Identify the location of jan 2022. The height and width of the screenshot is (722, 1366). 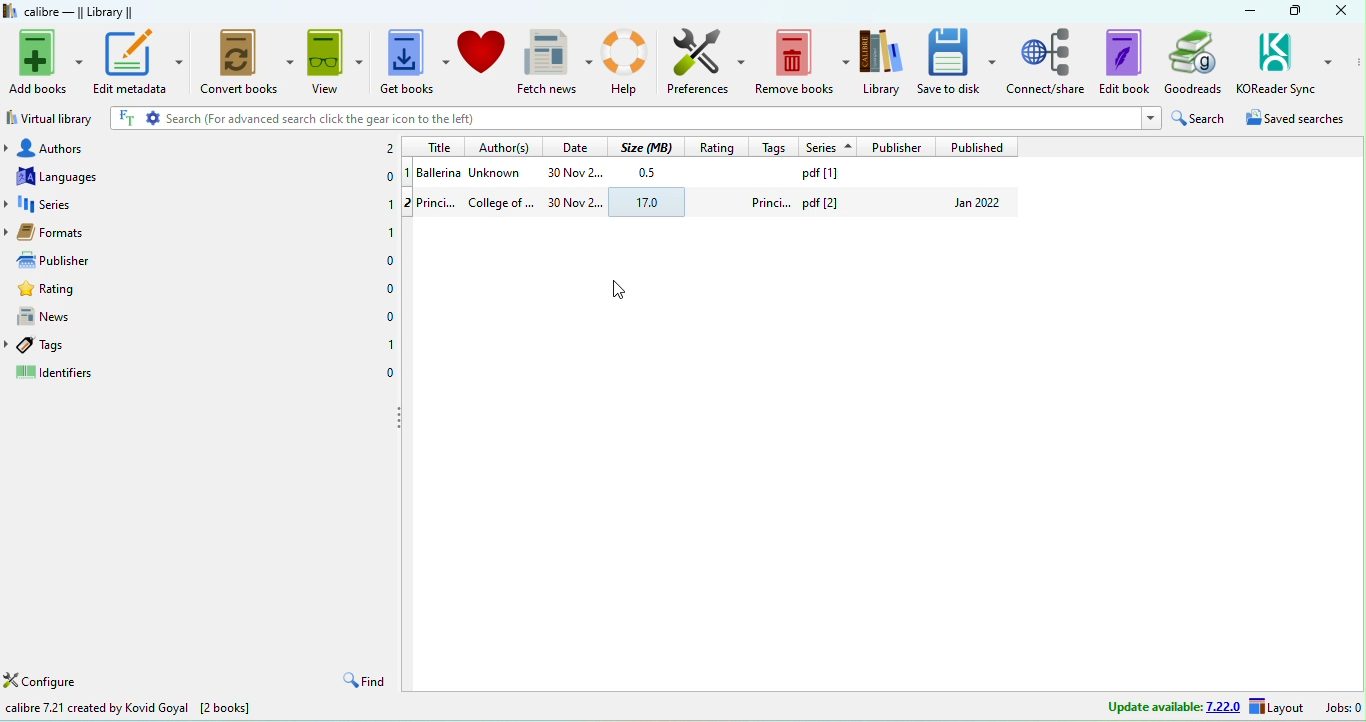
(979, 203).